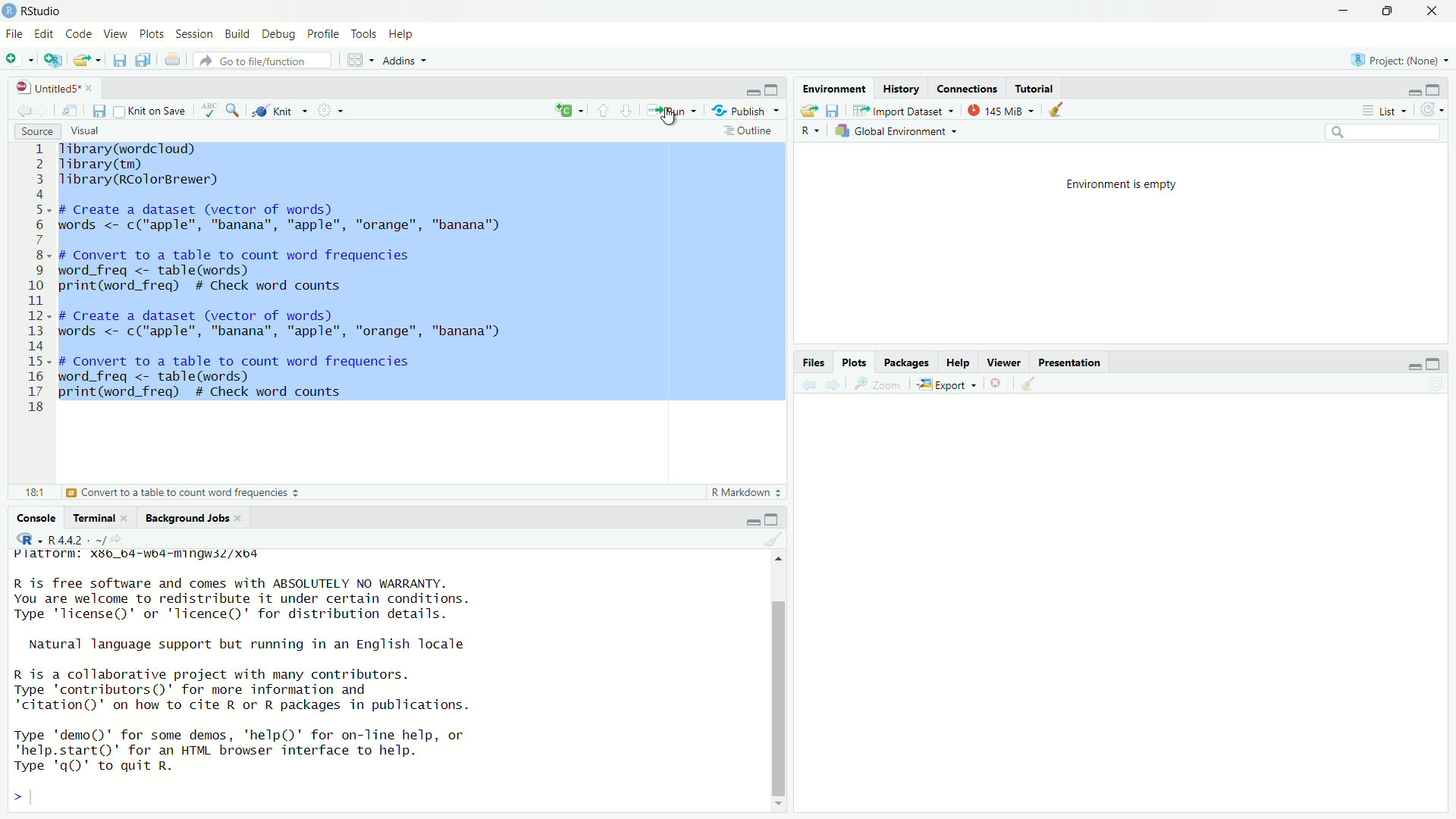  What do you see at coordinates (895, 133) in the screenshot?
I see `Global Environment` at bounding box center [895, 133].